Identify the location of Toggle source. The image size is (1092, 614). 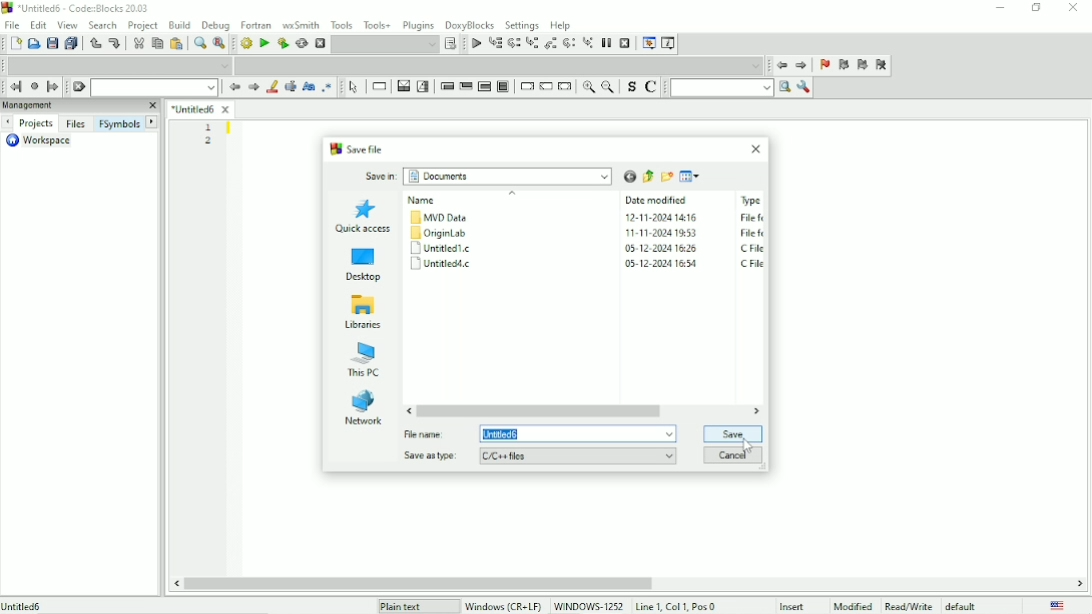
(630, 87).